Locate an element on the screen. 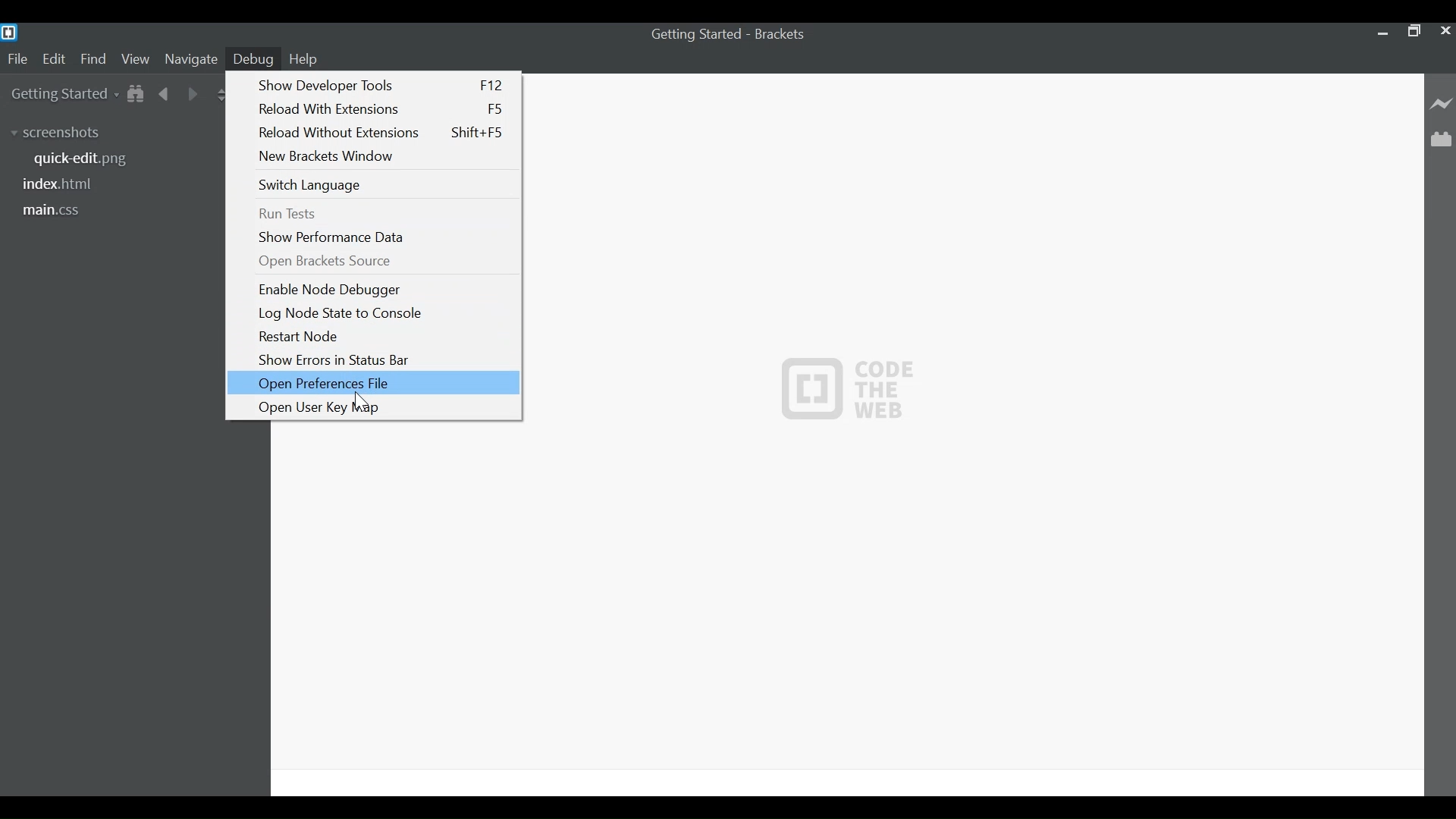  minimize is located at coordinates (1381, 30).